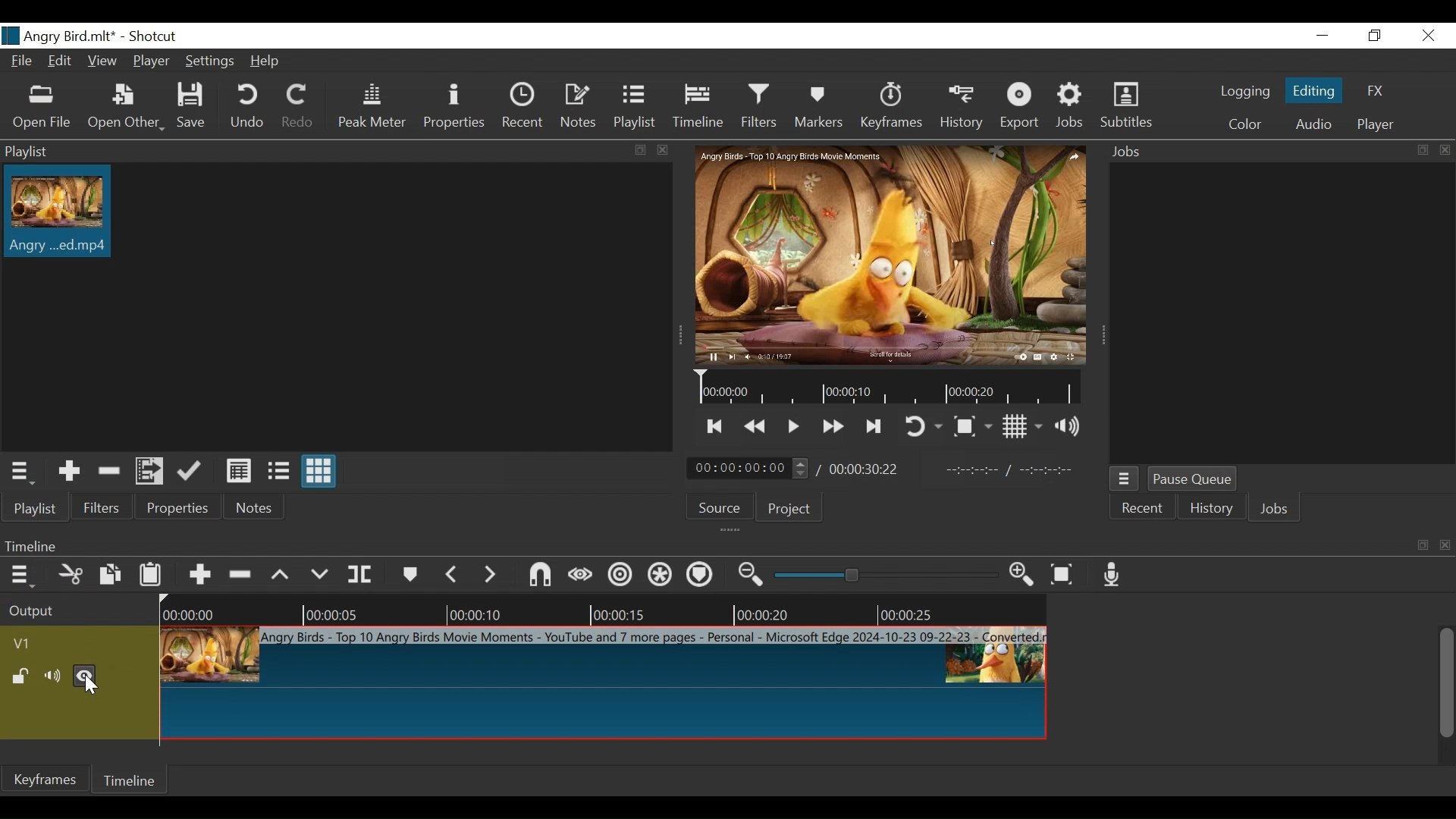 The image size is (1456, 819). Describe the element at coordinates (1022, 426) in the screenshot. I see `Toggle display grid on the player` at that location.